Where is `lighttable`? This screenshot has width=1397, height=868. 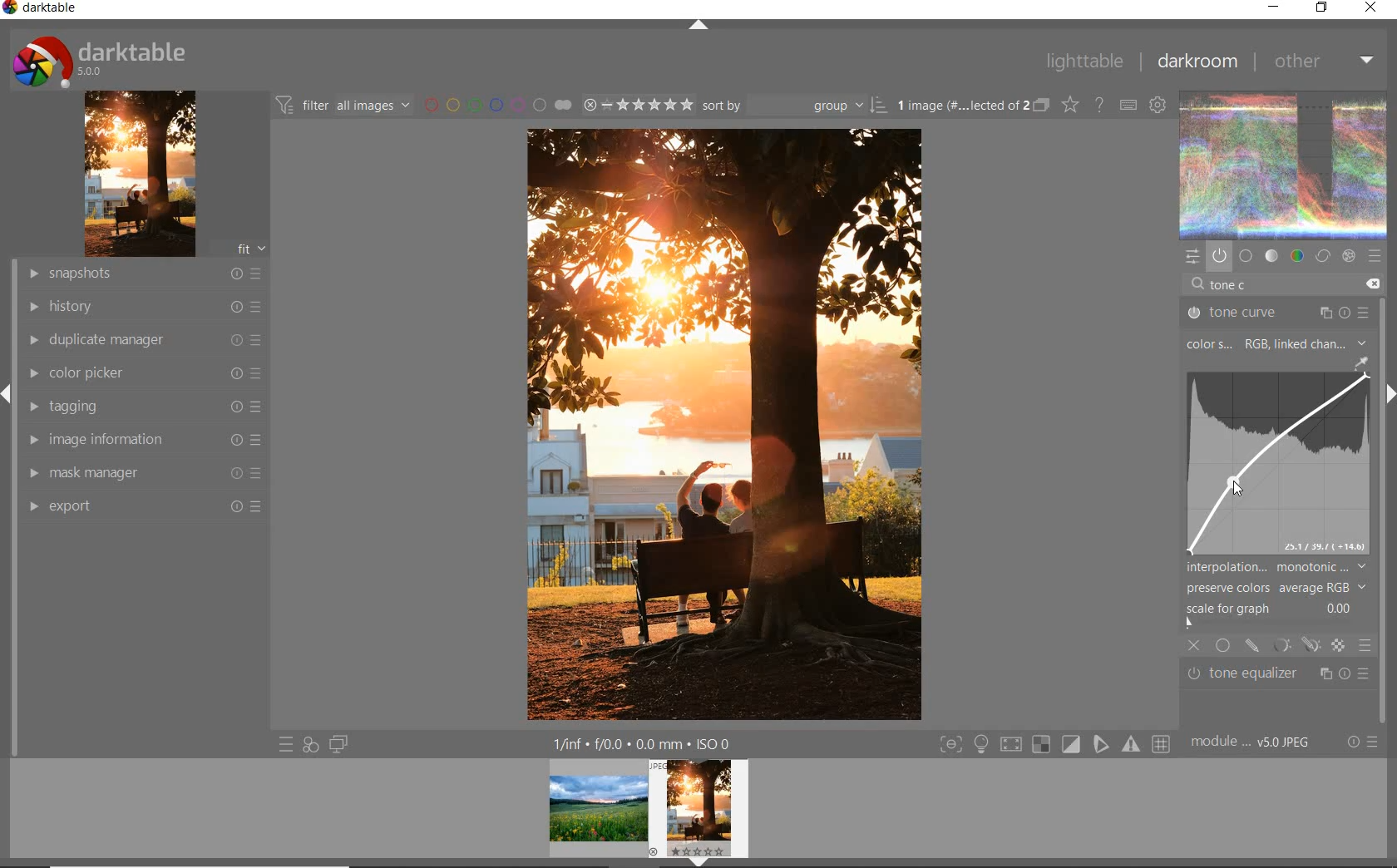 lighttable is located at coordinates (1082, 62).